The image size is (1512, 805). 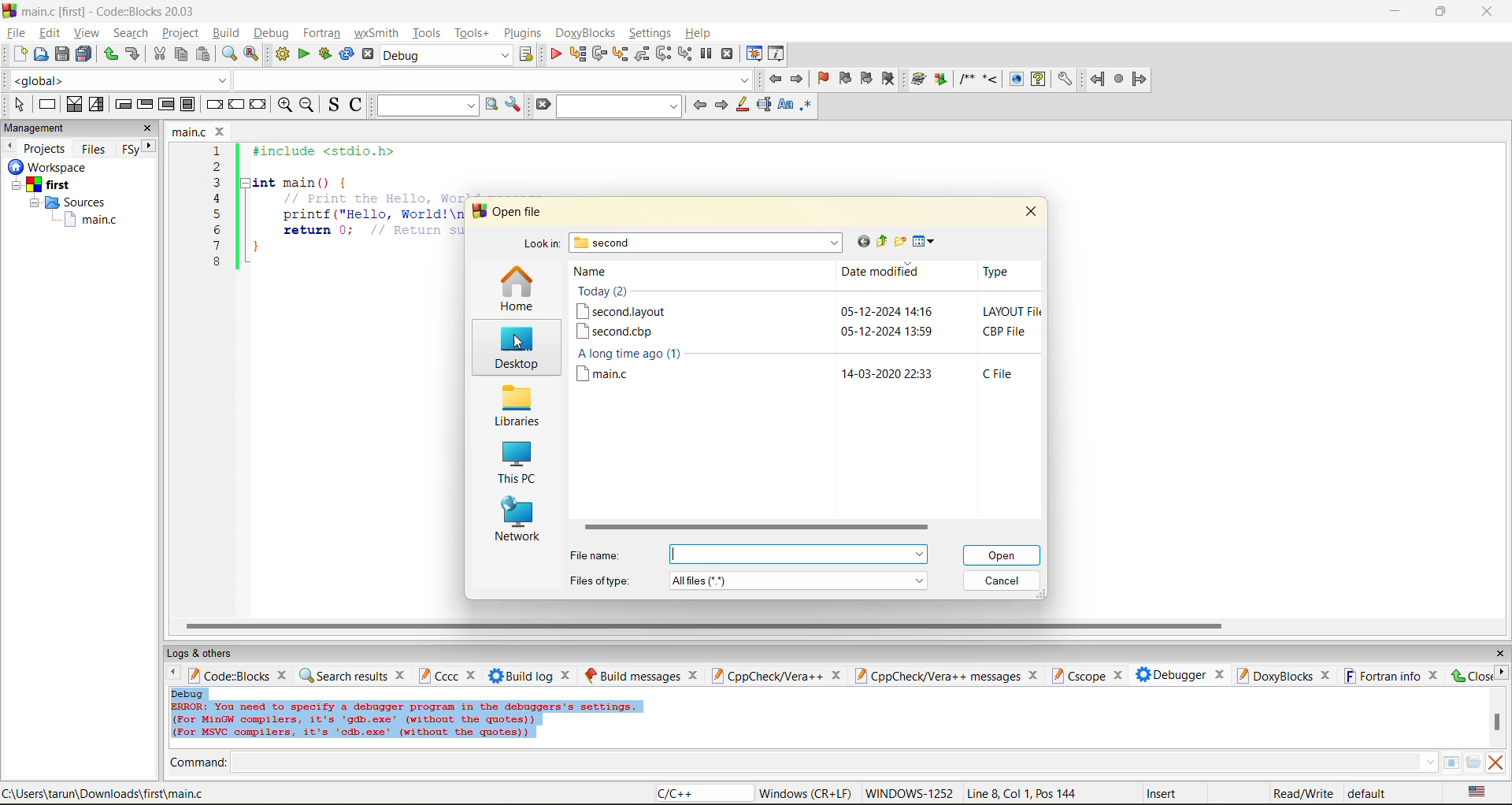 What do you see at coordinates (167, 106) in the screenshot?
I see `counting loop` at bounding box center [167, 106].